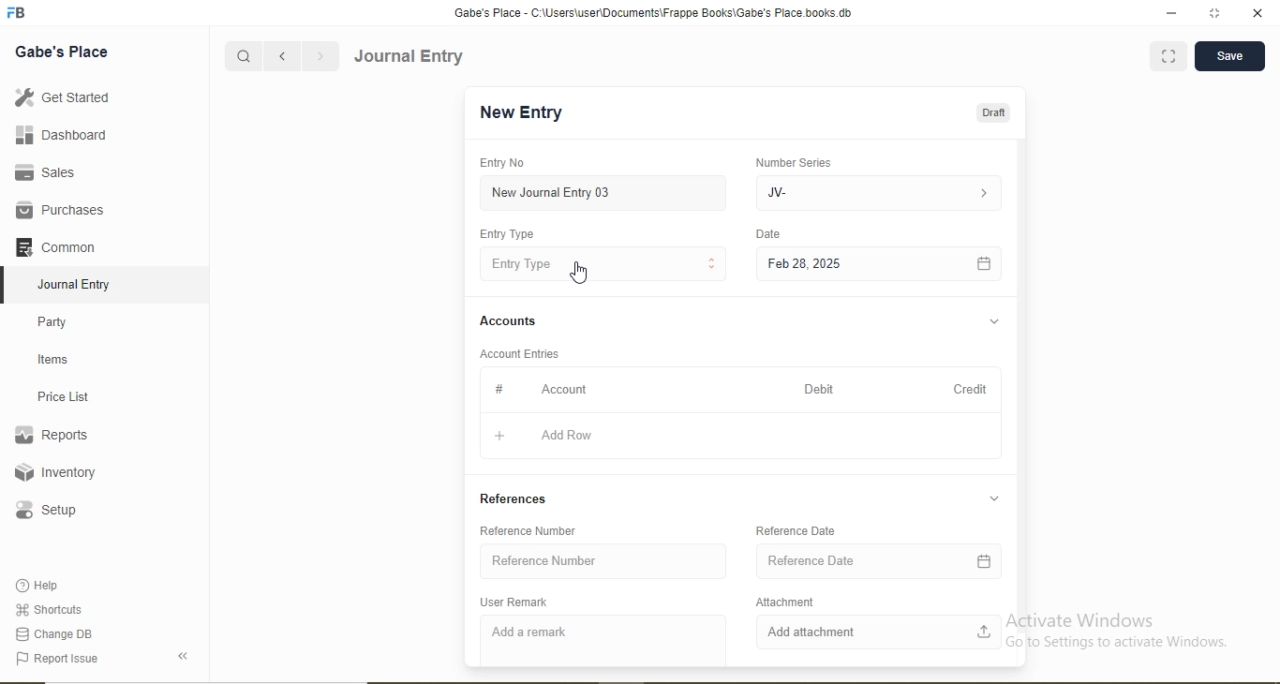  I want to click on Reports, so click(51, 435).